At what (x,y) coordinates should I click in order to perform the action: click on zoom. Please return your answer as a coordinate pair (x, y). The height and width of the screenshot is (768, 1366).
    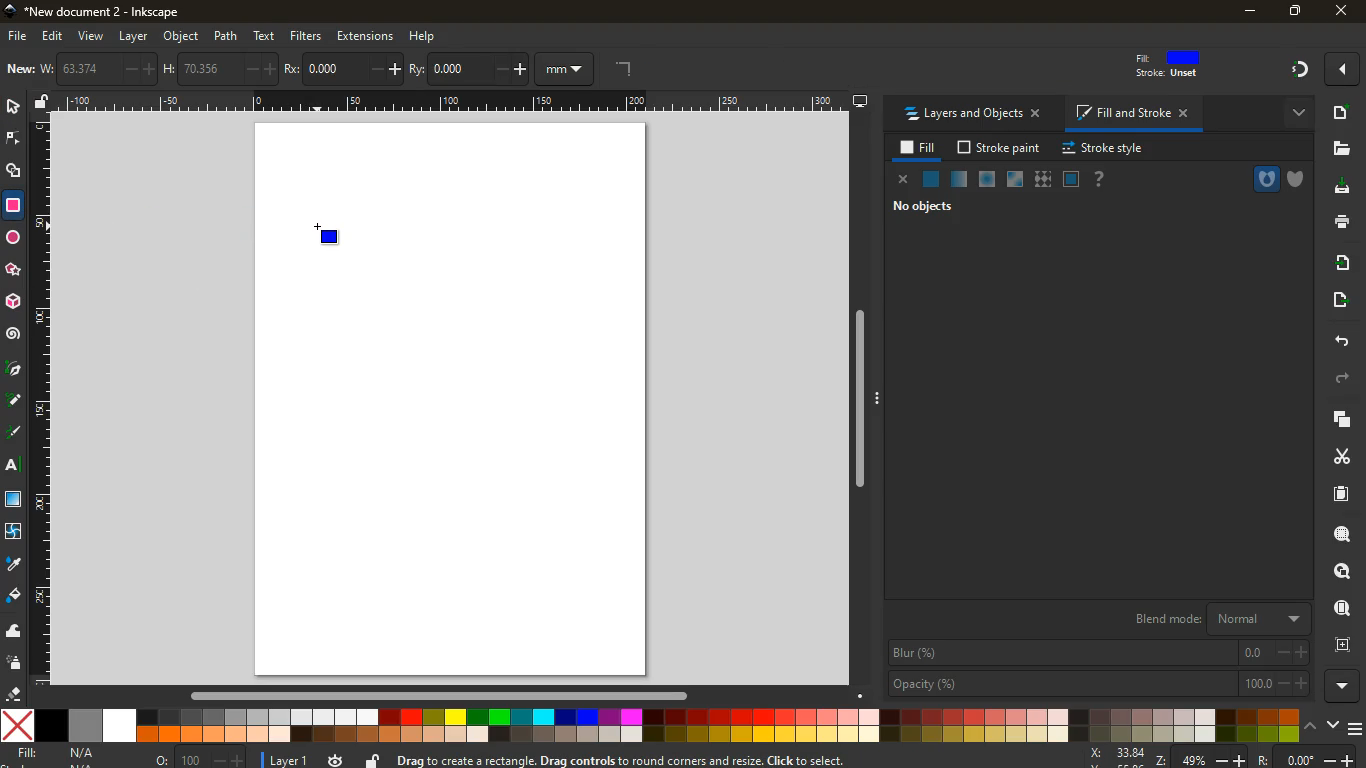
    Looking at the image, I should click on (1220, 756).